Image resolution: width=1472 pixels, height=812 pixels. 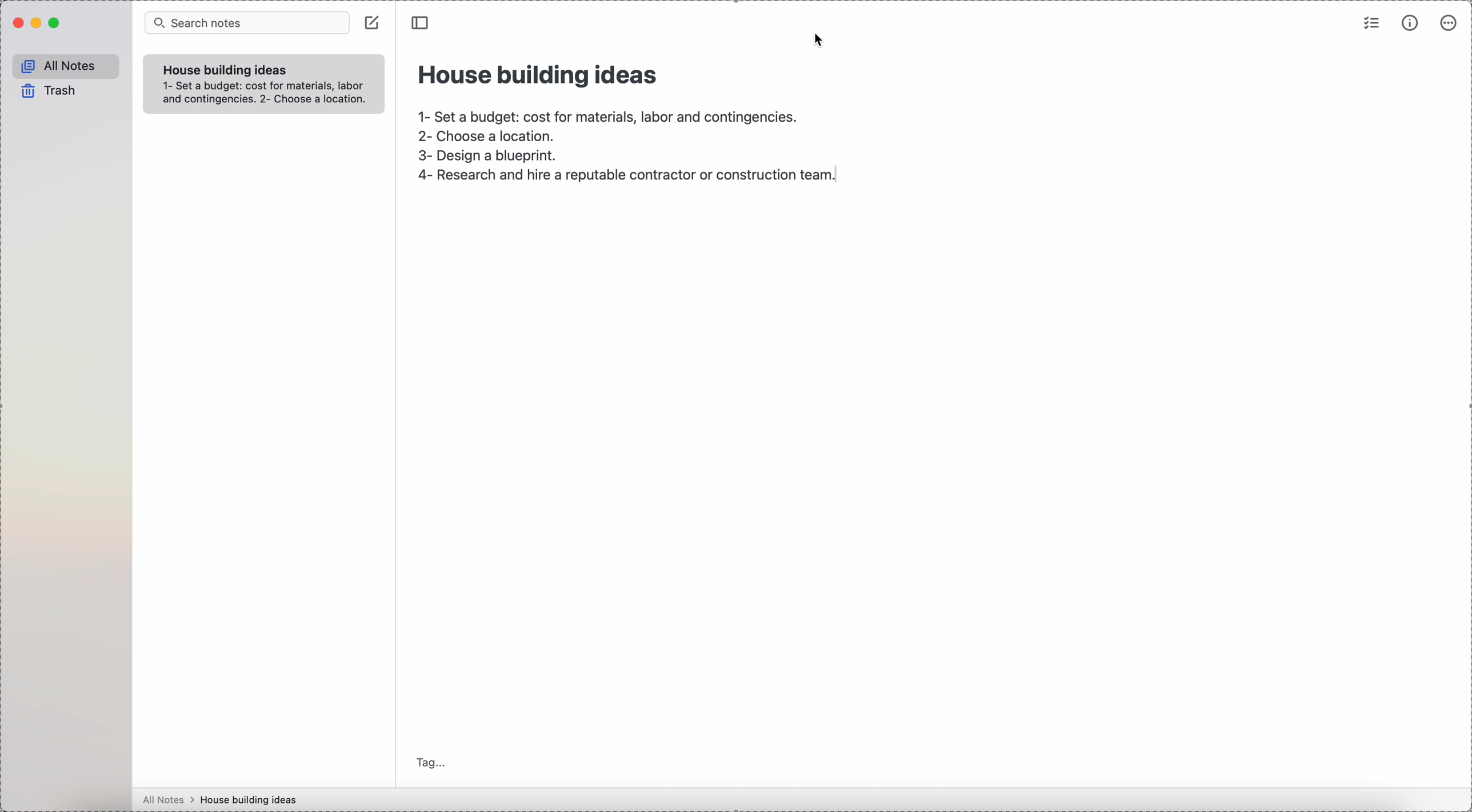 I want to click on 1- Set a budget: cost for materials, labor
and contingencies. 2- Choose a location., so click(x=267, y=94).